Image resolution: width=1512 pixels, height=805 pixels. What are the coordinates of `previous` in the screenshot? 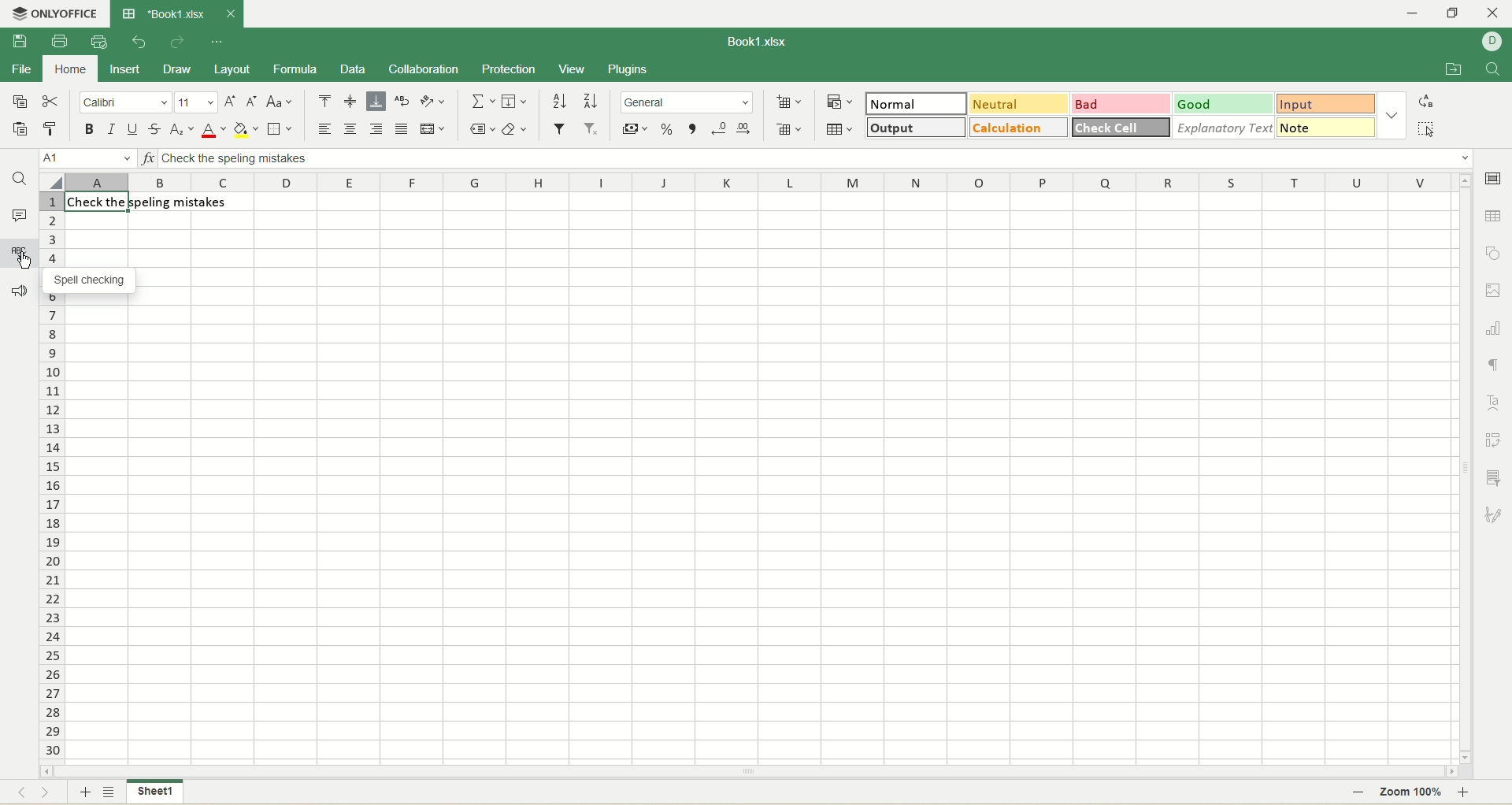 It's located at (20, 795).